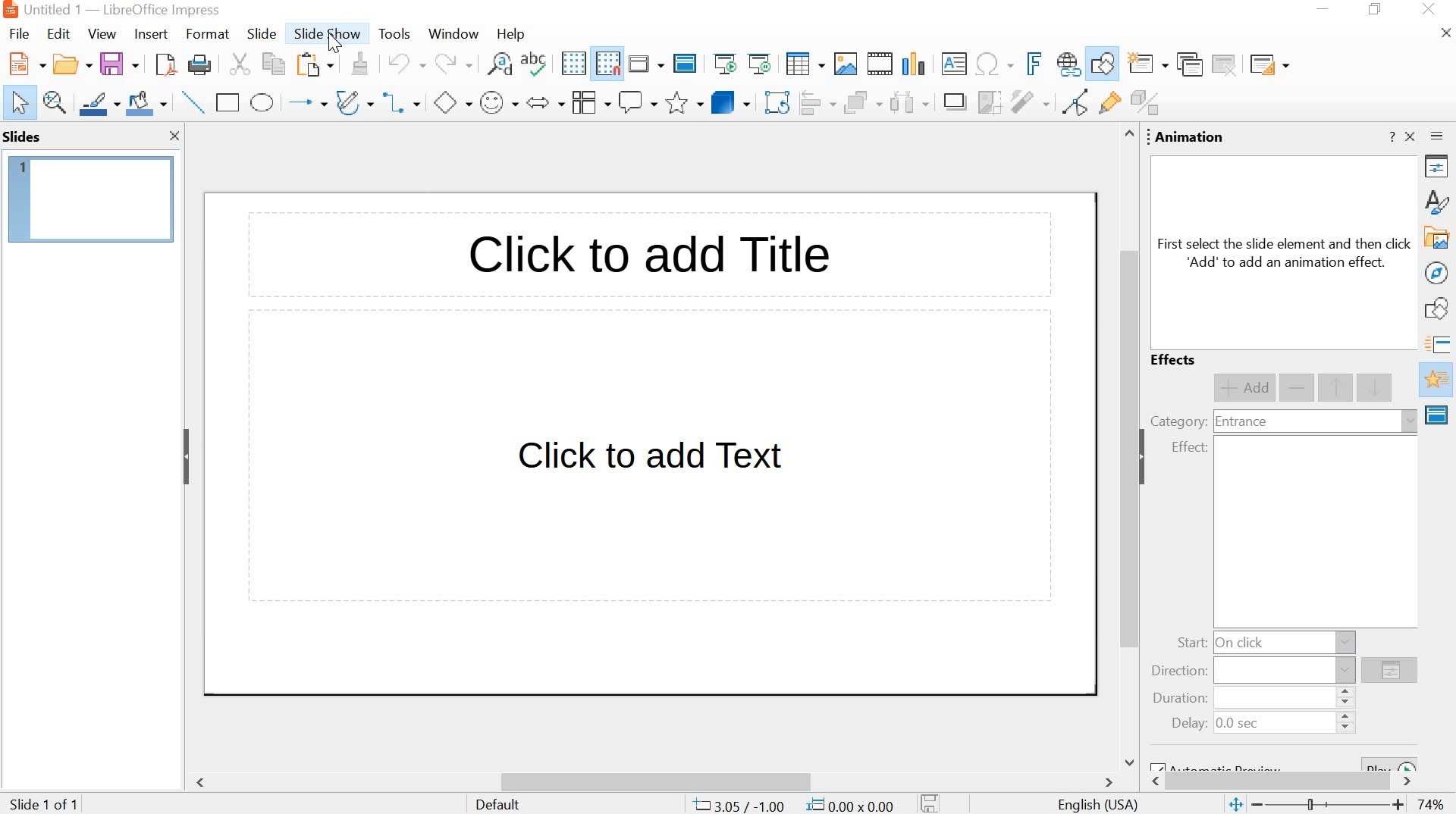 The image size is (1456, 814). What do you see at coordinates (588, 102) in the screenshot?
I see `flowchart` at bounding box center [588, 102].